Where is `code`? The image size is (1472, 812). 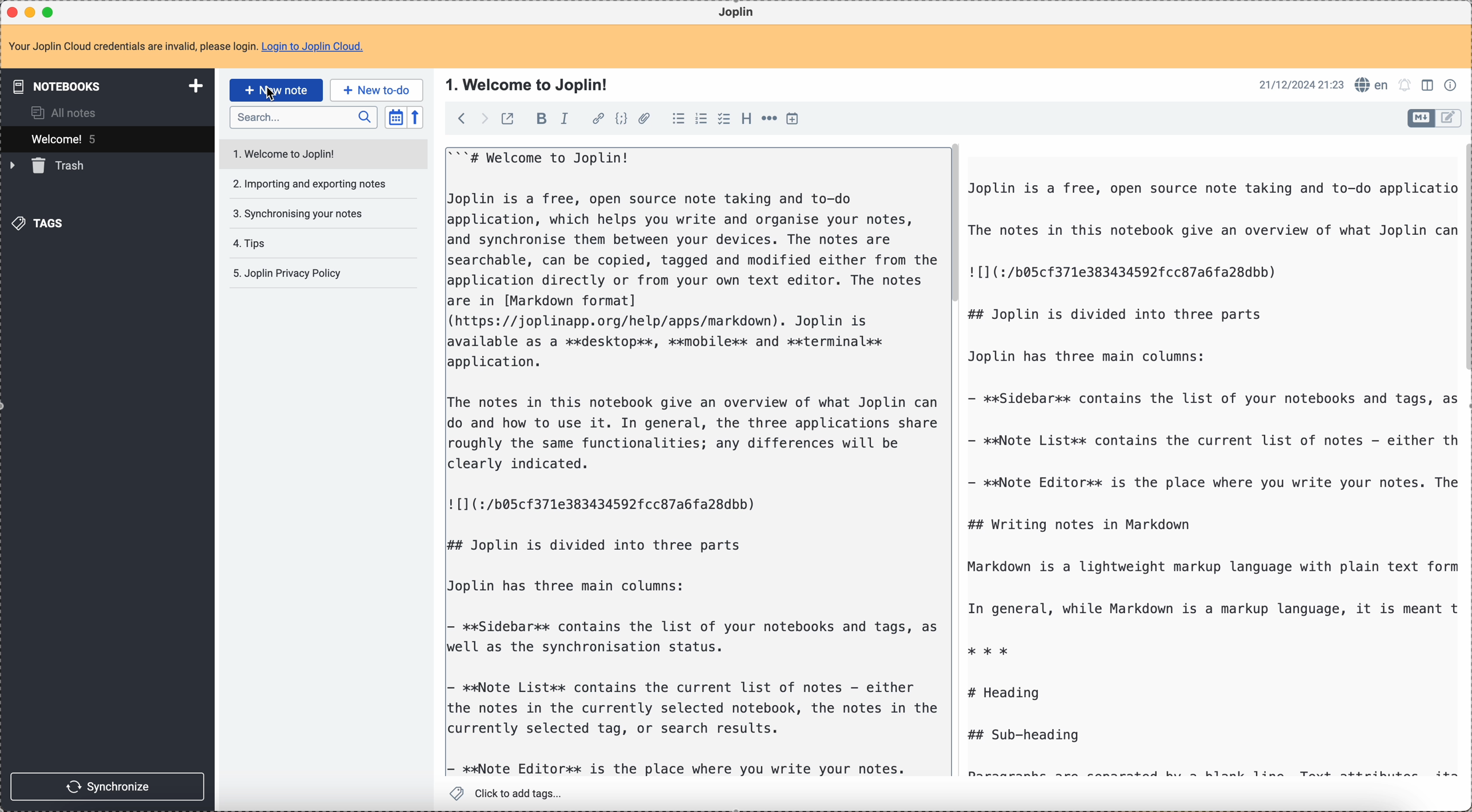
code is located at coordinates (621, 119).